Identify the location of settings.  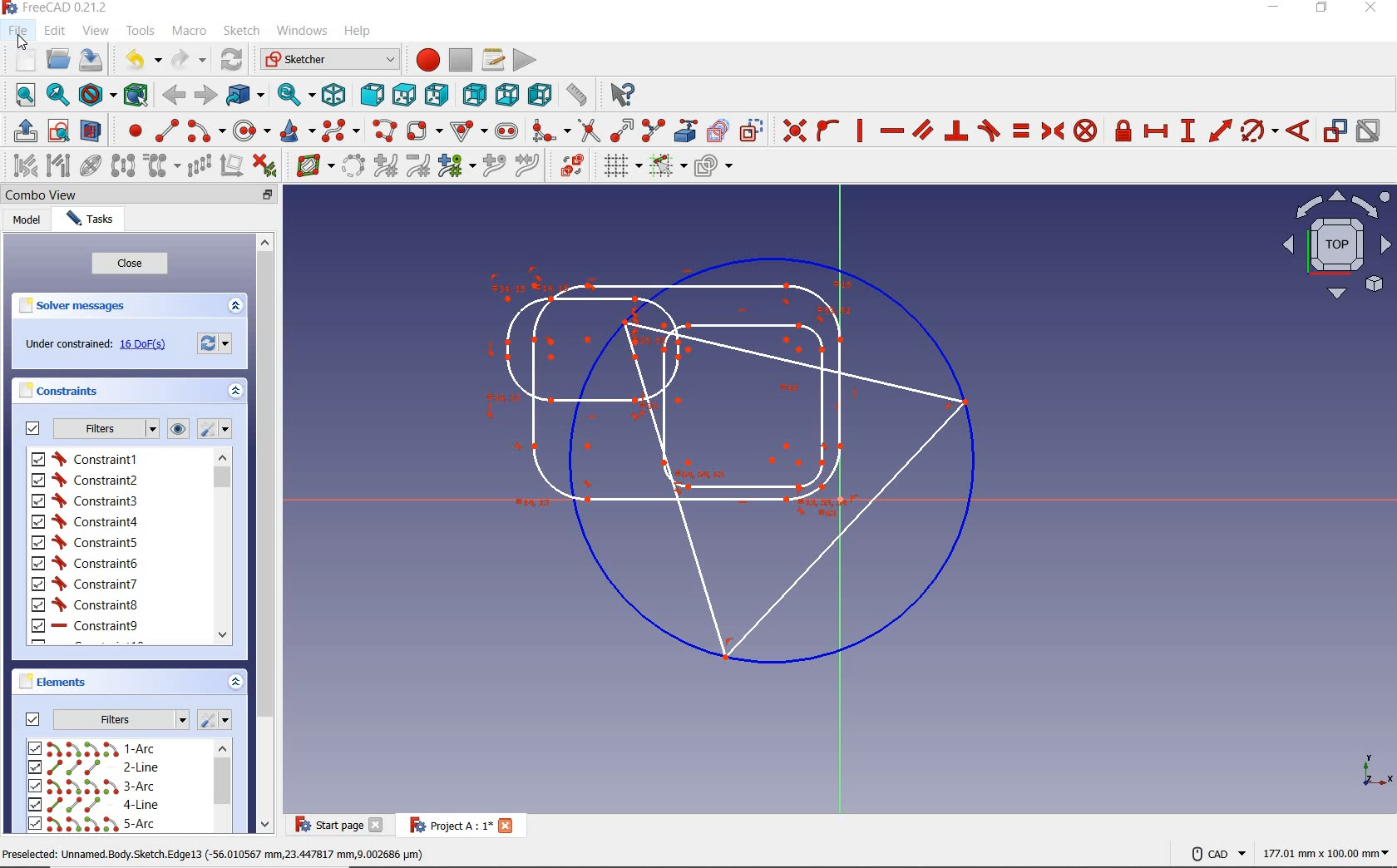
(216, 720).